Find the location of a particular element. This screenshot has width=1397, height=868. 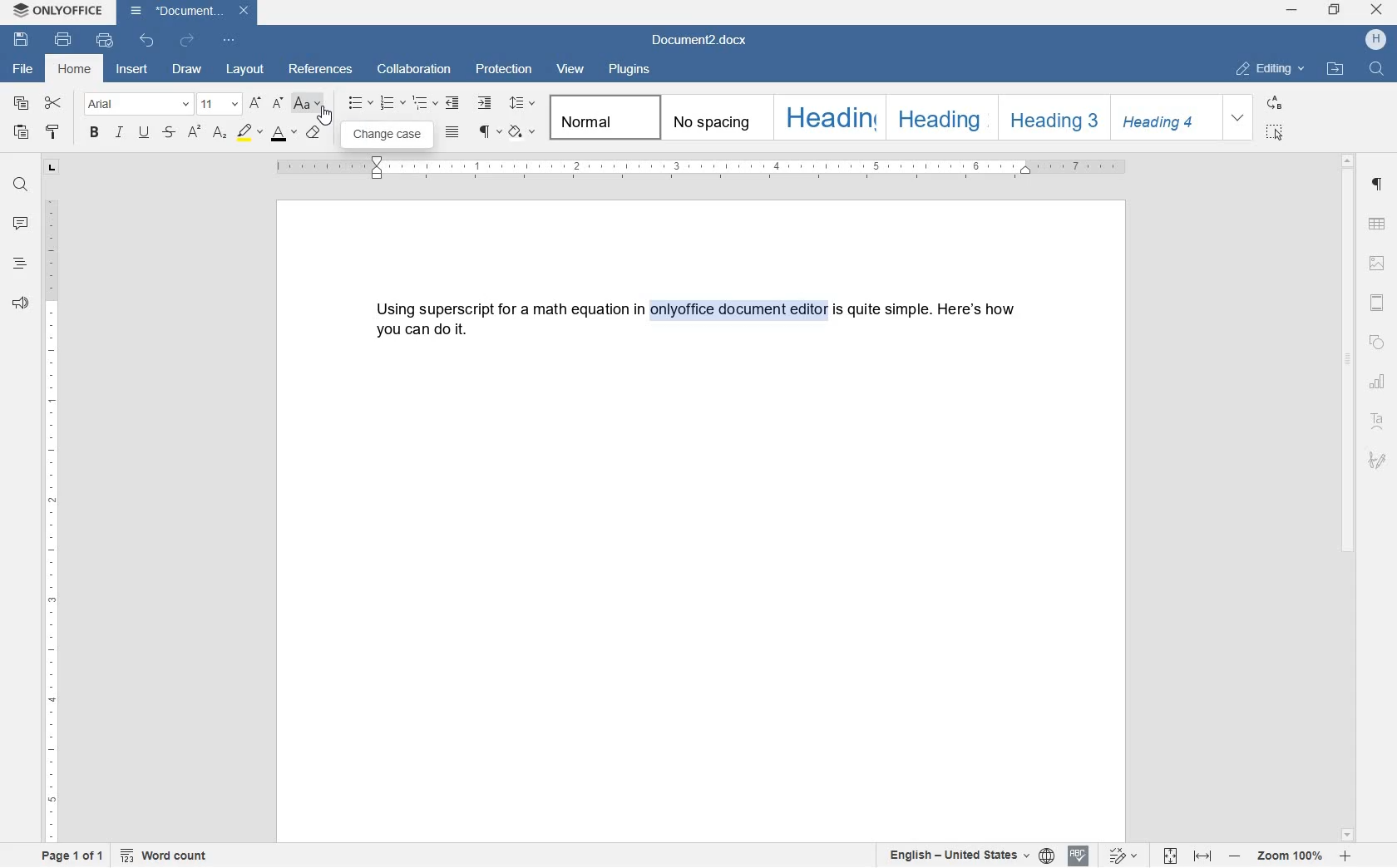

signature is located at coordinates (1378, 461).